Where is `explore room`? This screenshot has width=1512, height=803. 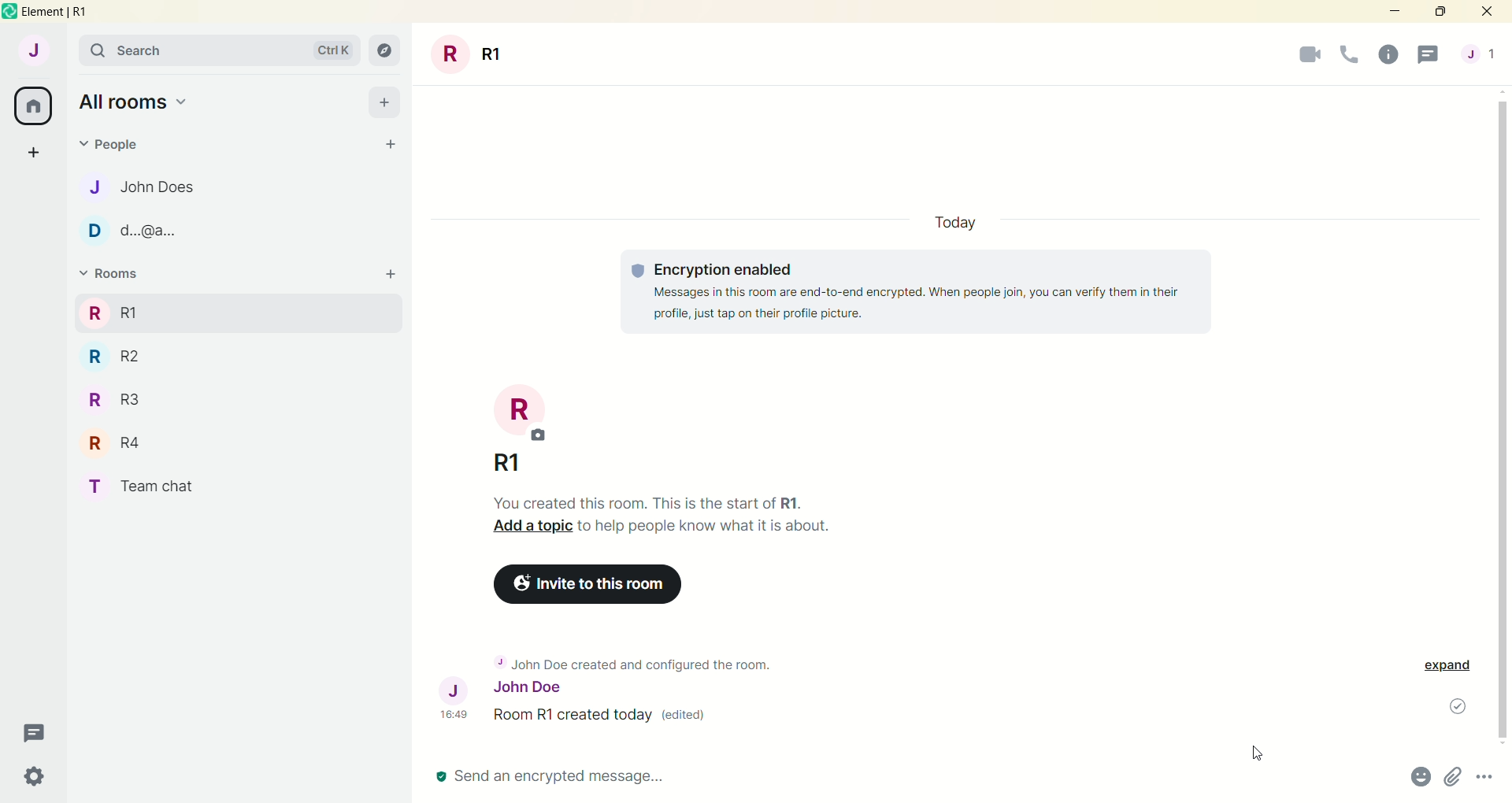
explore room is located at coordinates (386, 51).